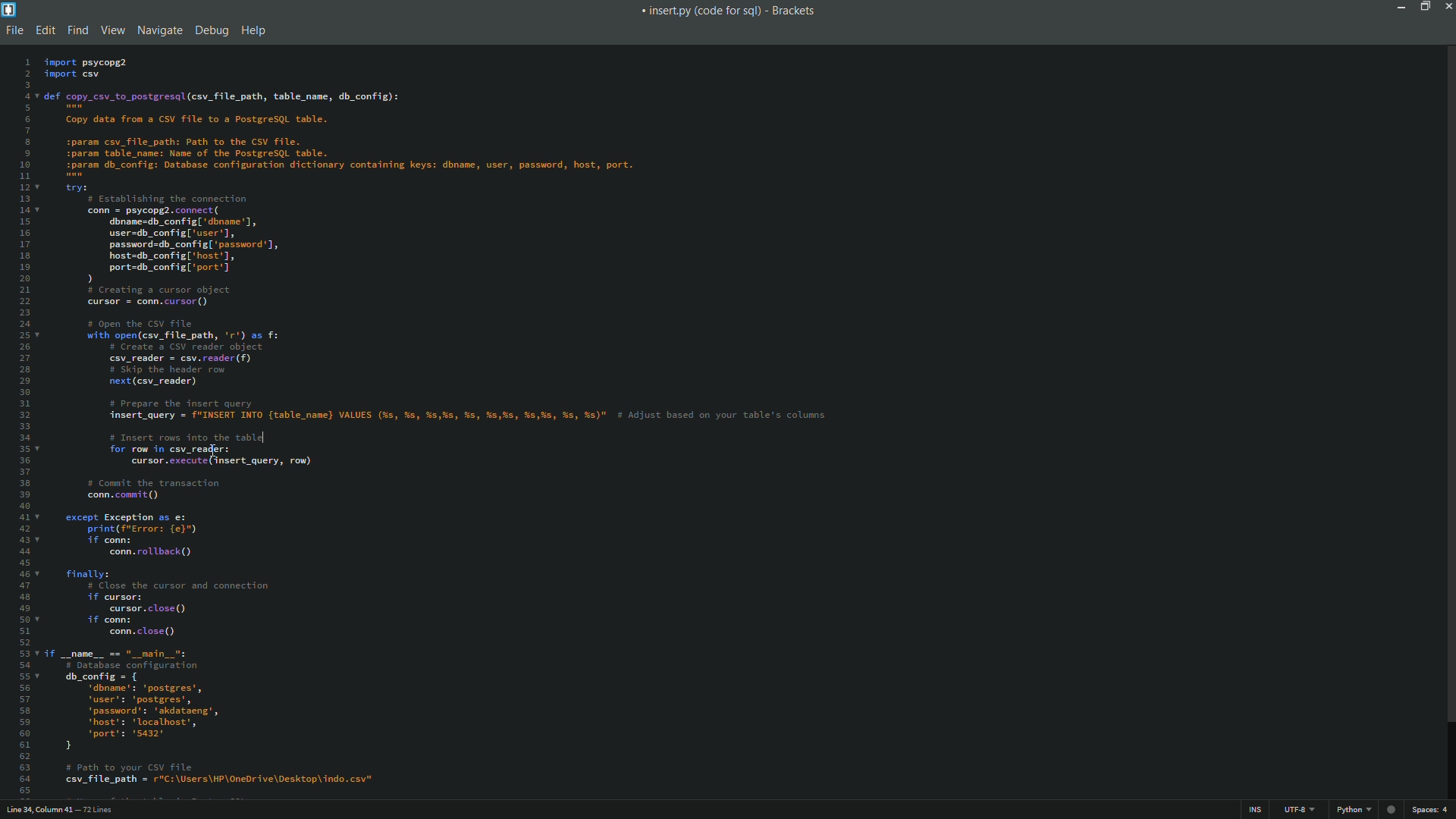 This screenshot has width=1456, height=819. I want to click on navigate menu, so click(158, 30).